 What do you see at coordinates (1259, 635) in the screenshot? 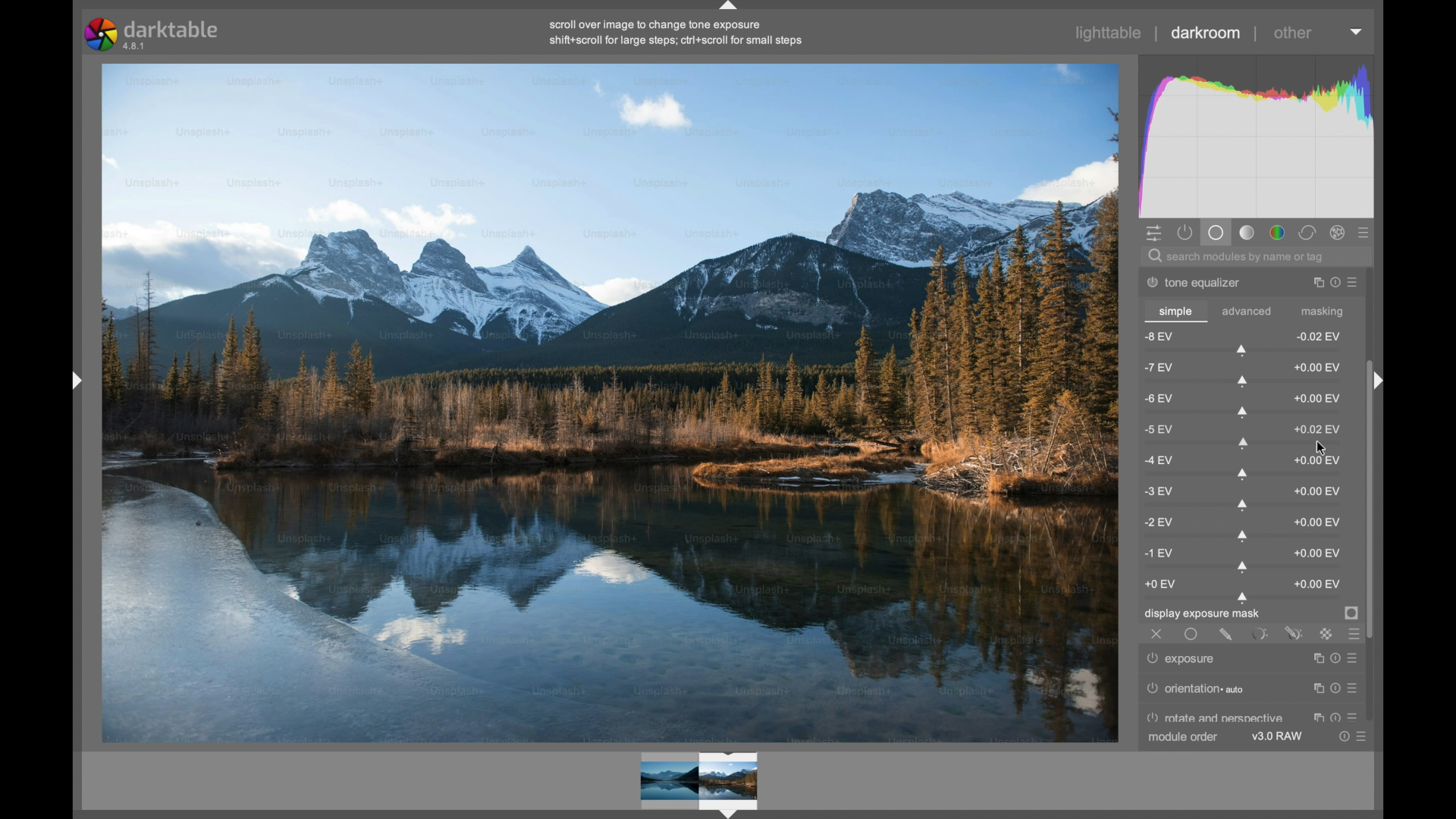
I see `parametric mask` at bounding box center [1259, 635].